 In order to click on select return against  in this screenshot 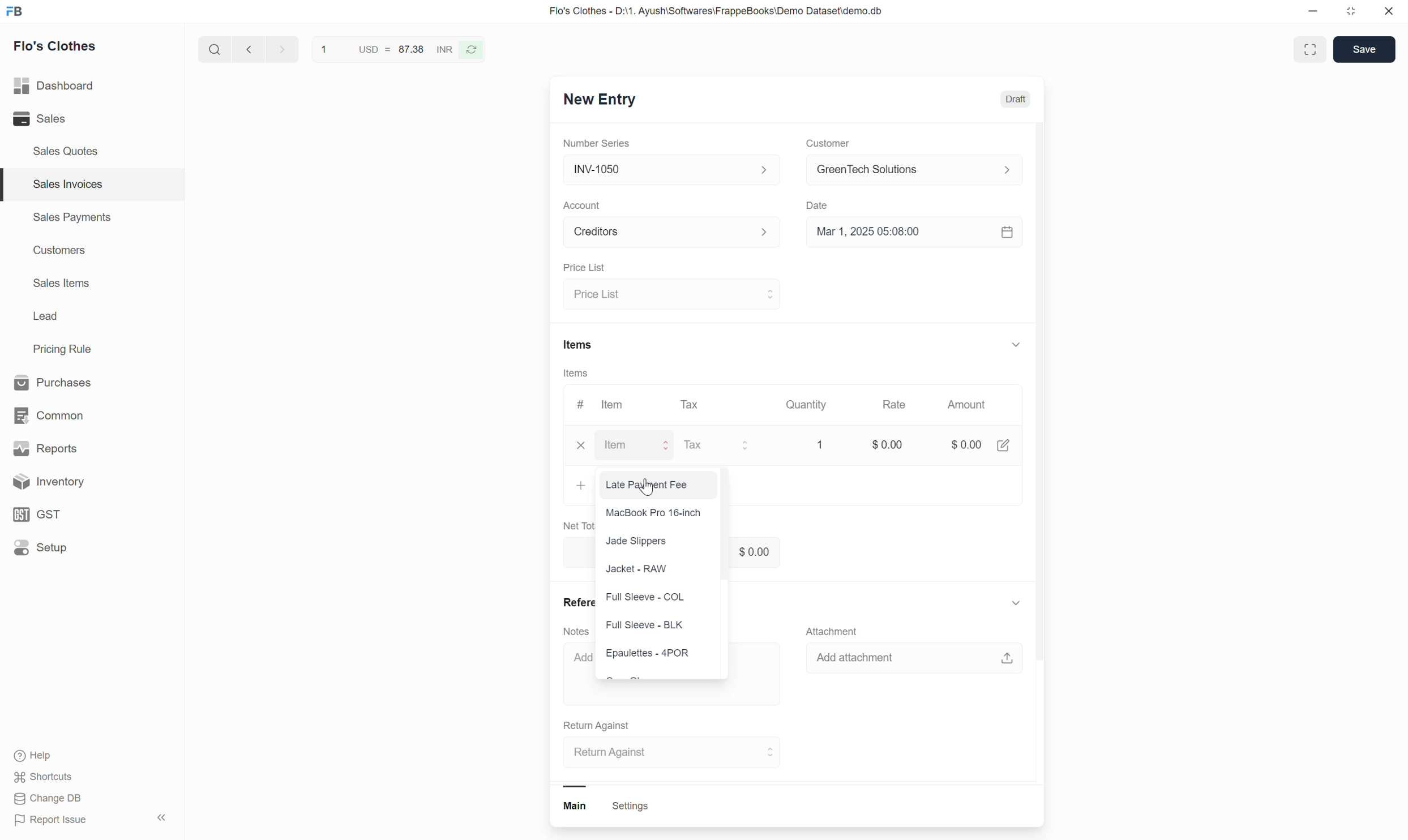, I will do `click(665, 753)`.